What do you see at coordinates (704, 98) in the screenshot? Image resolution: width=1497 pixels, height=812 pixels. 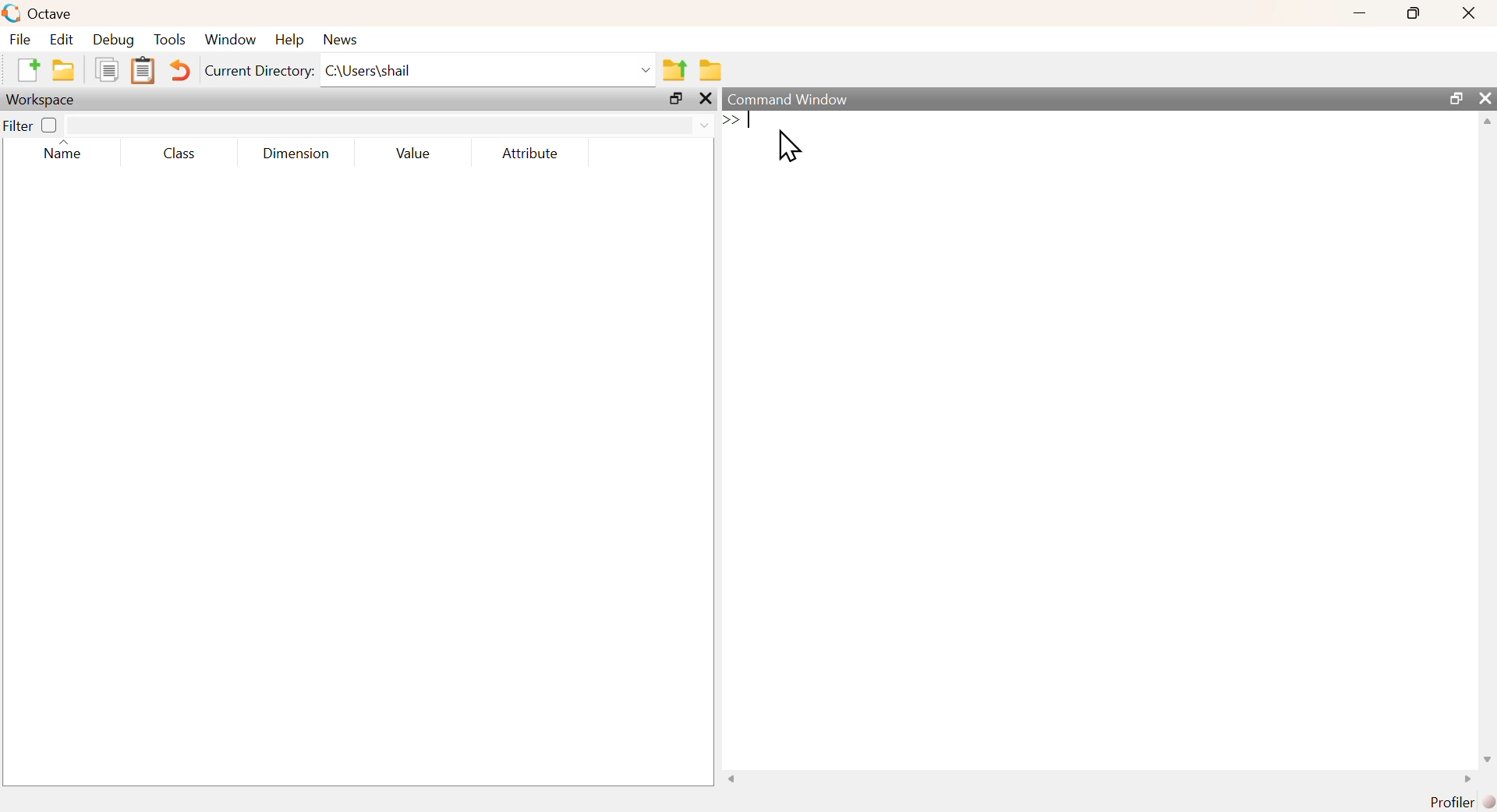 I see `close` at bounding box center [704, 98].